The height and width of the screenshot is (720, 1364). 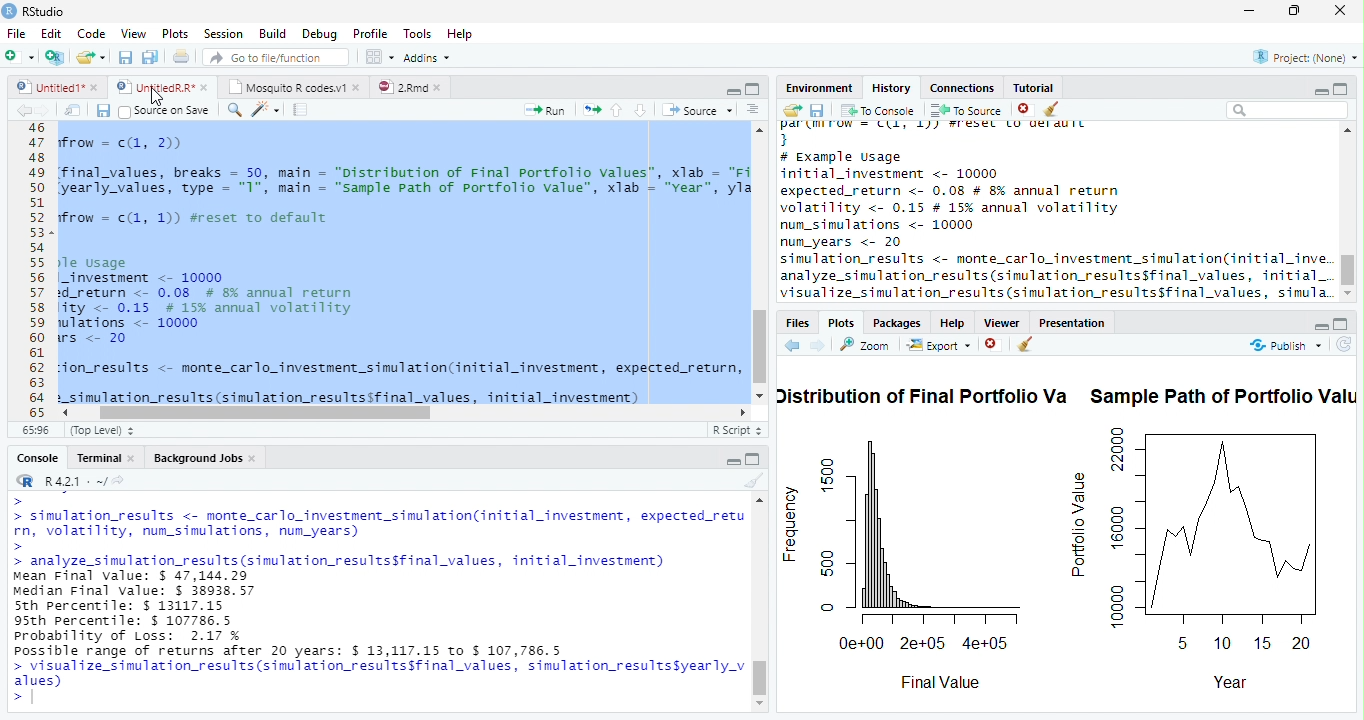 What do you see at coordinates (1342, 87) in the screenshot?
I see `Full Height` at bounding box center [1342, 87].